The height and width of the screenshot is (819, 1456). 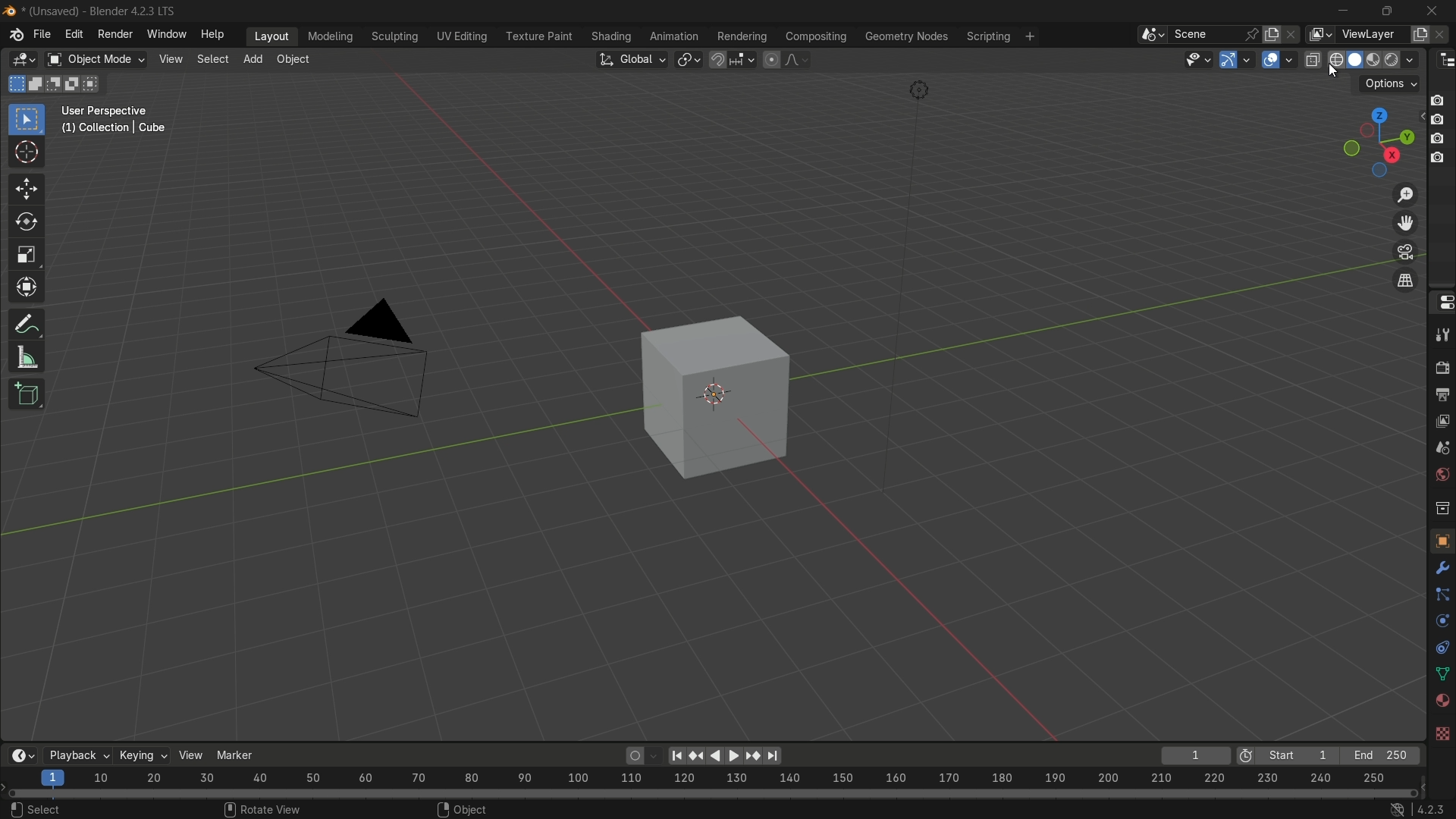 What do you see at coordinates (18, 54) in the screenshot?
I see `3d viewport` at bounding box center [18, 54].